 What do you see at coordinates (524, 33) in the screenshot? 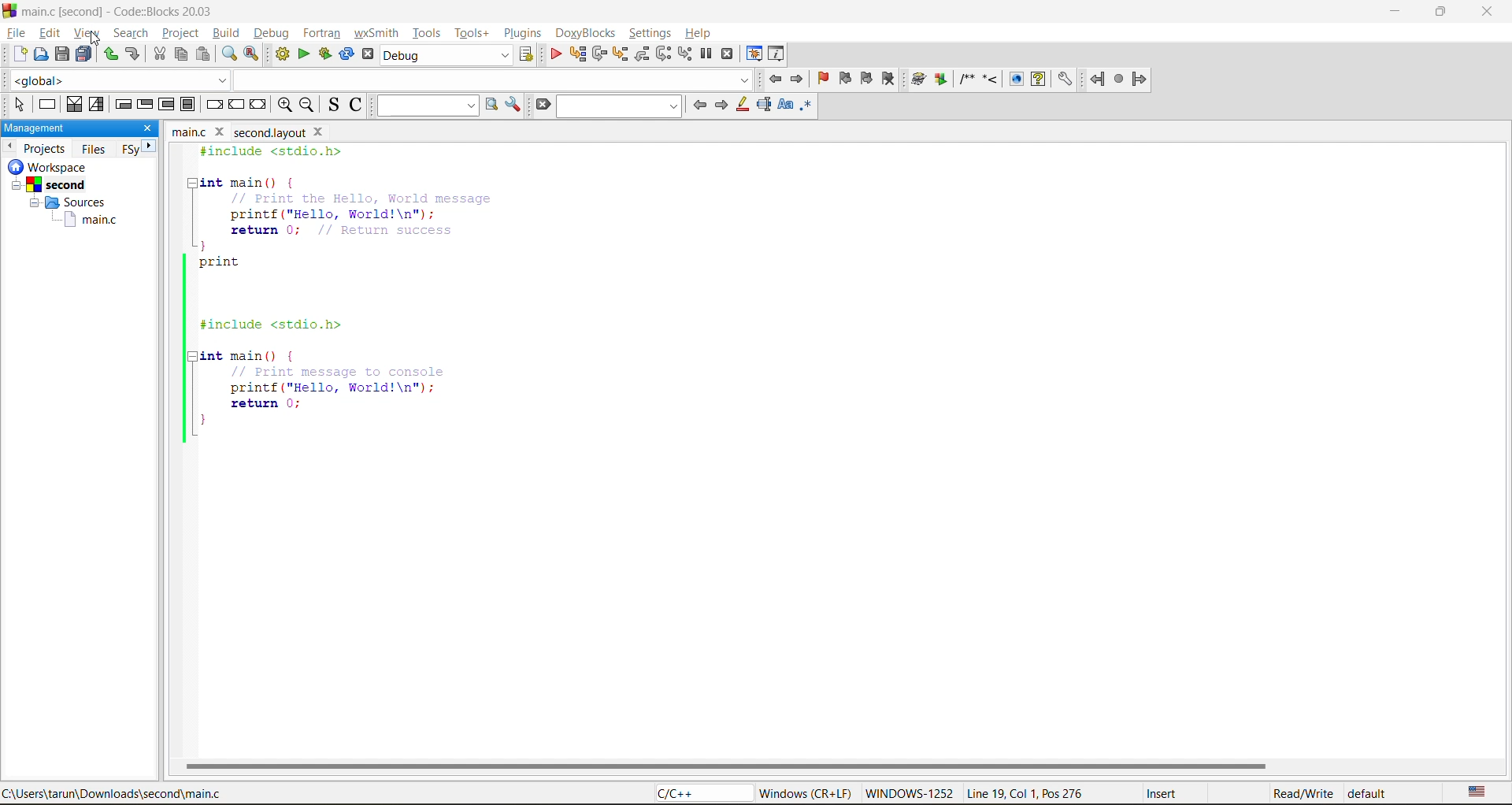
I see `plugins` at bounding box center [524, 33].